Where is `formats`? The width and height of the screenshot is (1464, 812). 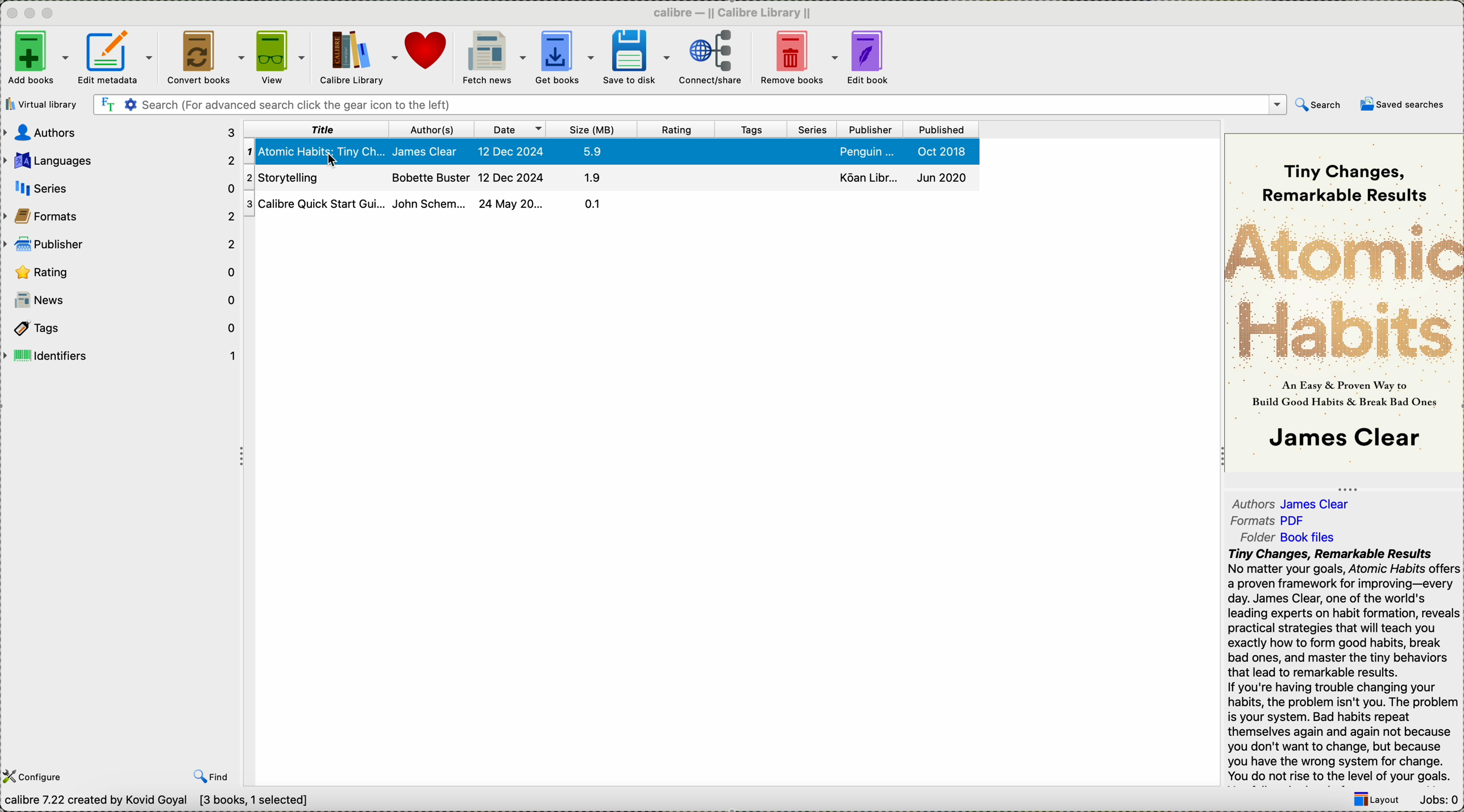
formats is located at coordinates (121, 215).